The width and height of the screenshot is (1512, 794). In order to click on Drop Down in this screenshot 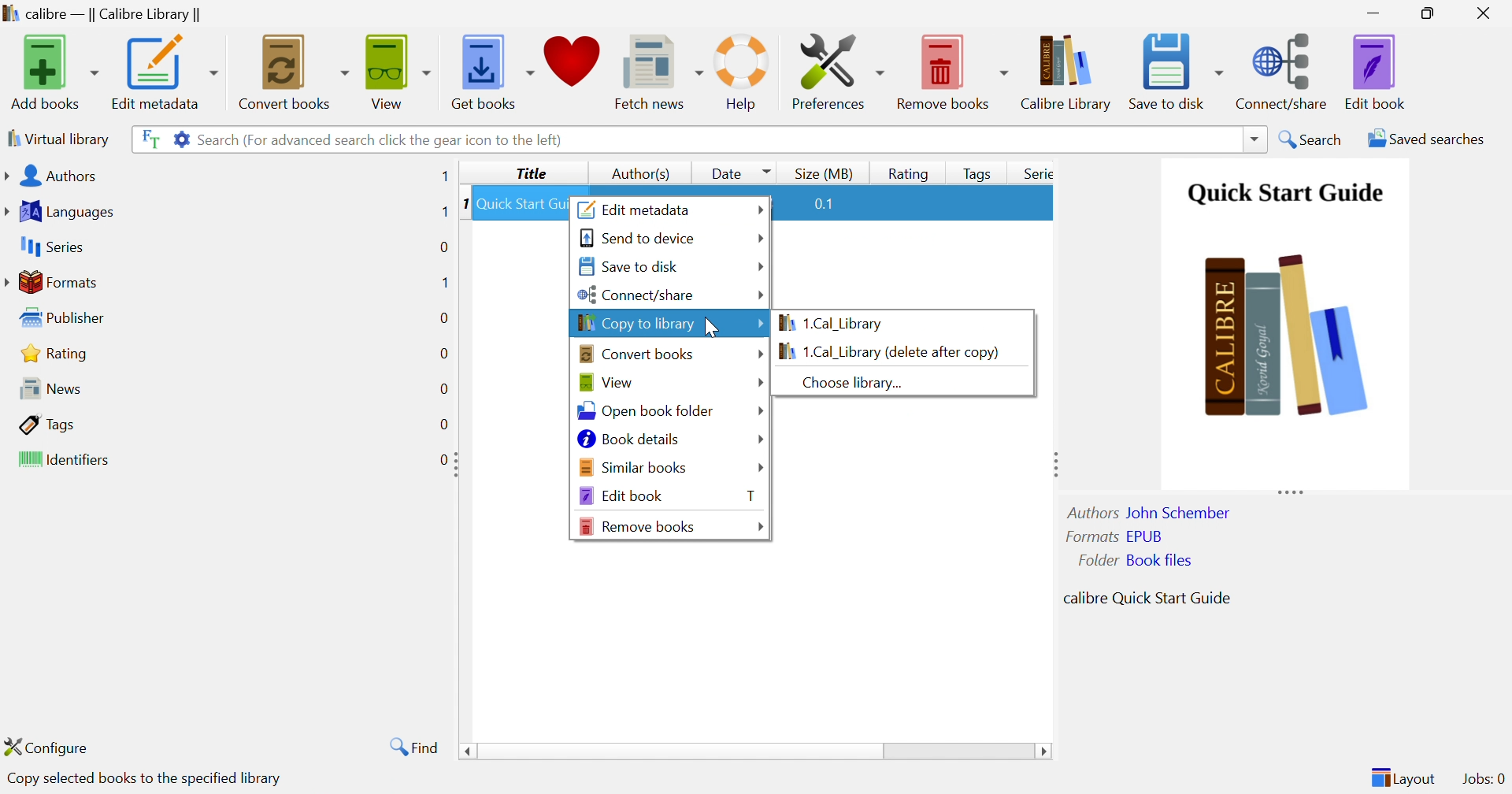, I will do `click(680, 753)`.